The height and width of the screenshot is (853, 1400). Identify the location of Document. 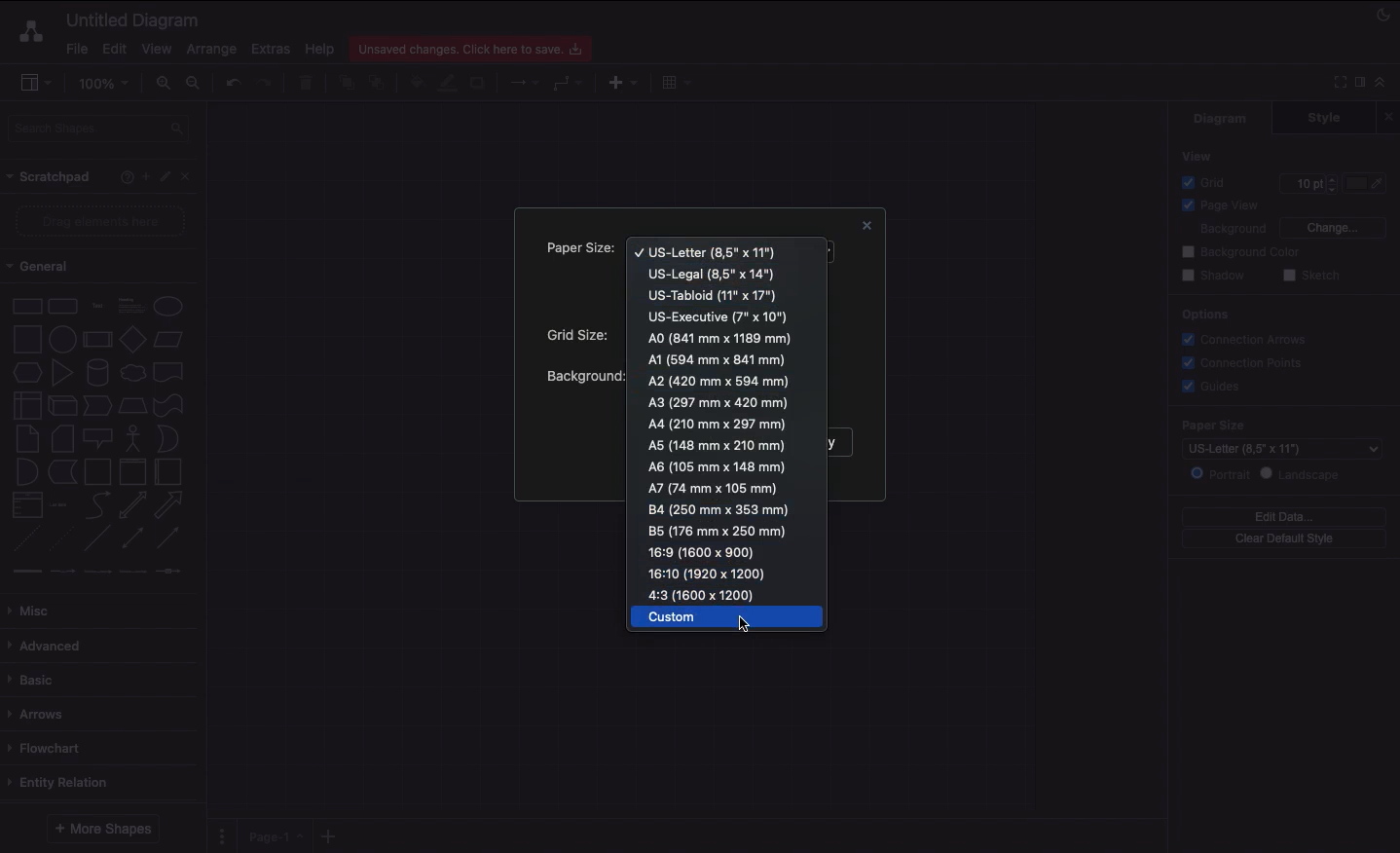
(169, 372).